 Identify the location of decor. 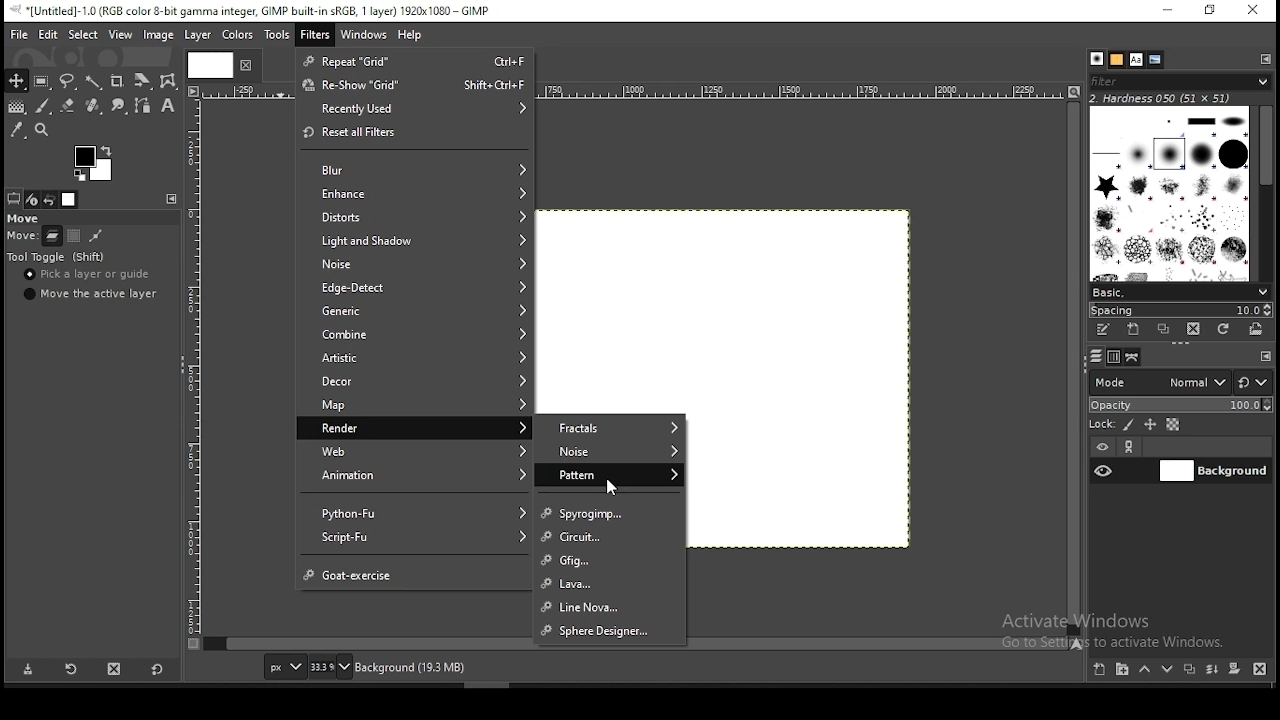
(412, 380).